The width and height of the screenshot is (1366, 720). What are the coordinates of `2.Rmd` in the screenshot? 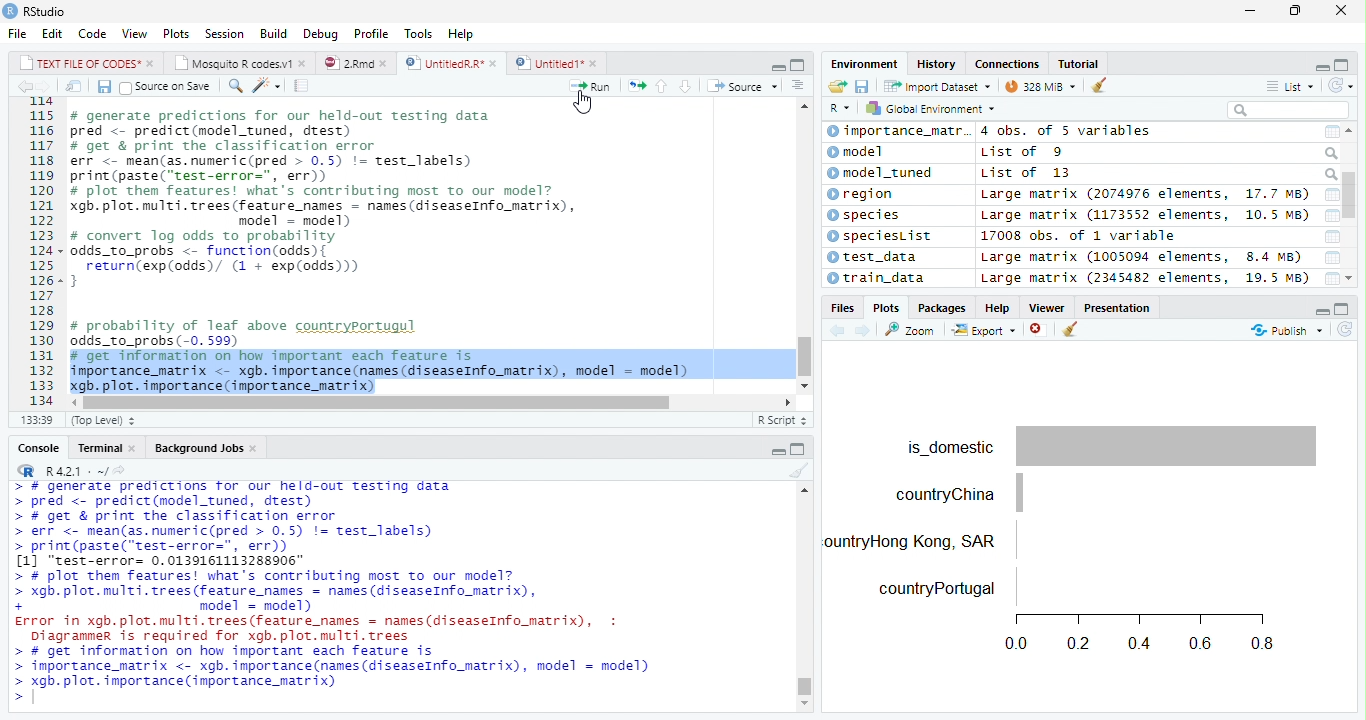 It's located at (356, 63).